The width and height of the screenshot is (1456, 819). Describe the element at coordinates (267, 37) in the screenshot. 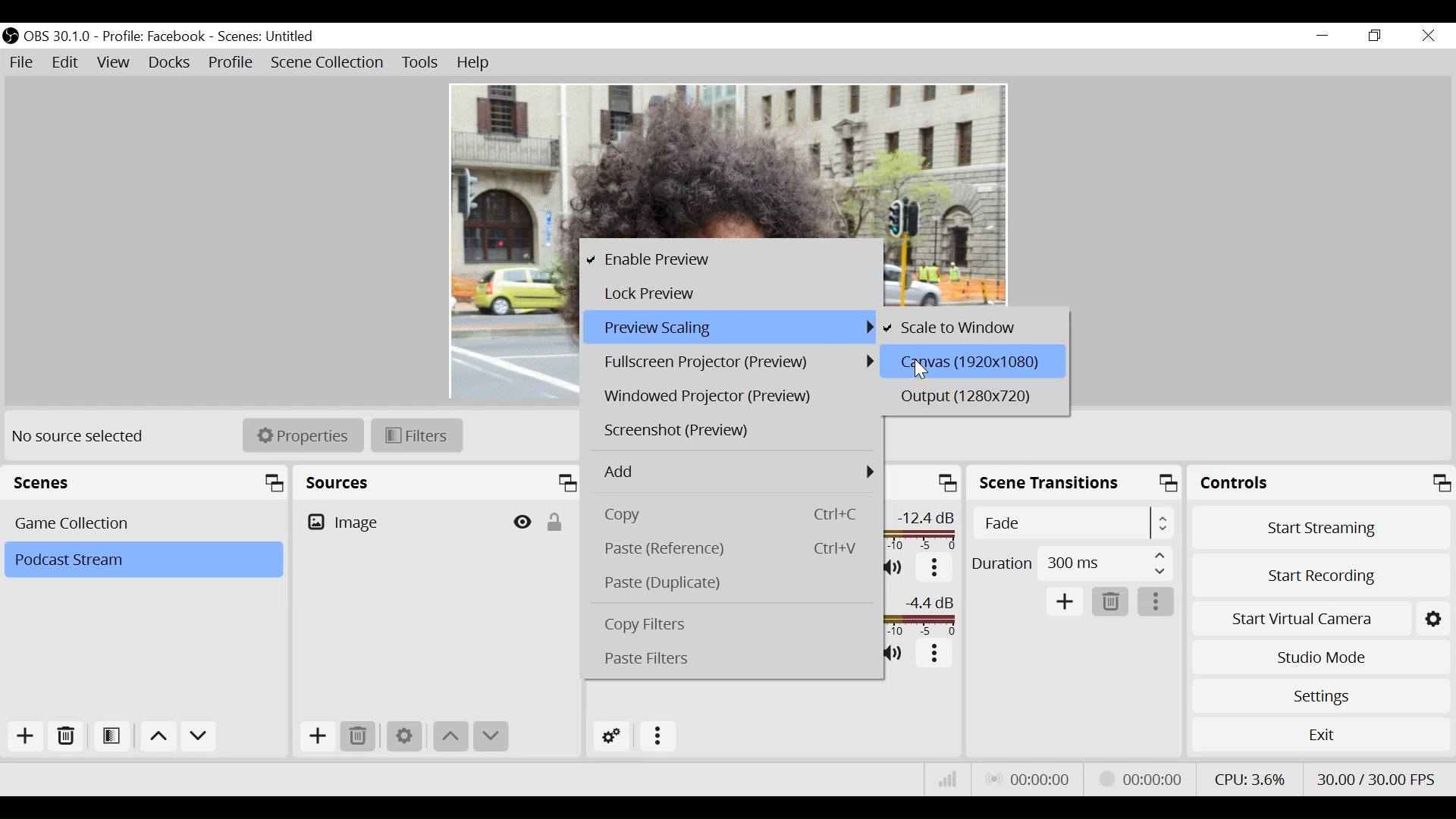

I see `Scene` at that location.